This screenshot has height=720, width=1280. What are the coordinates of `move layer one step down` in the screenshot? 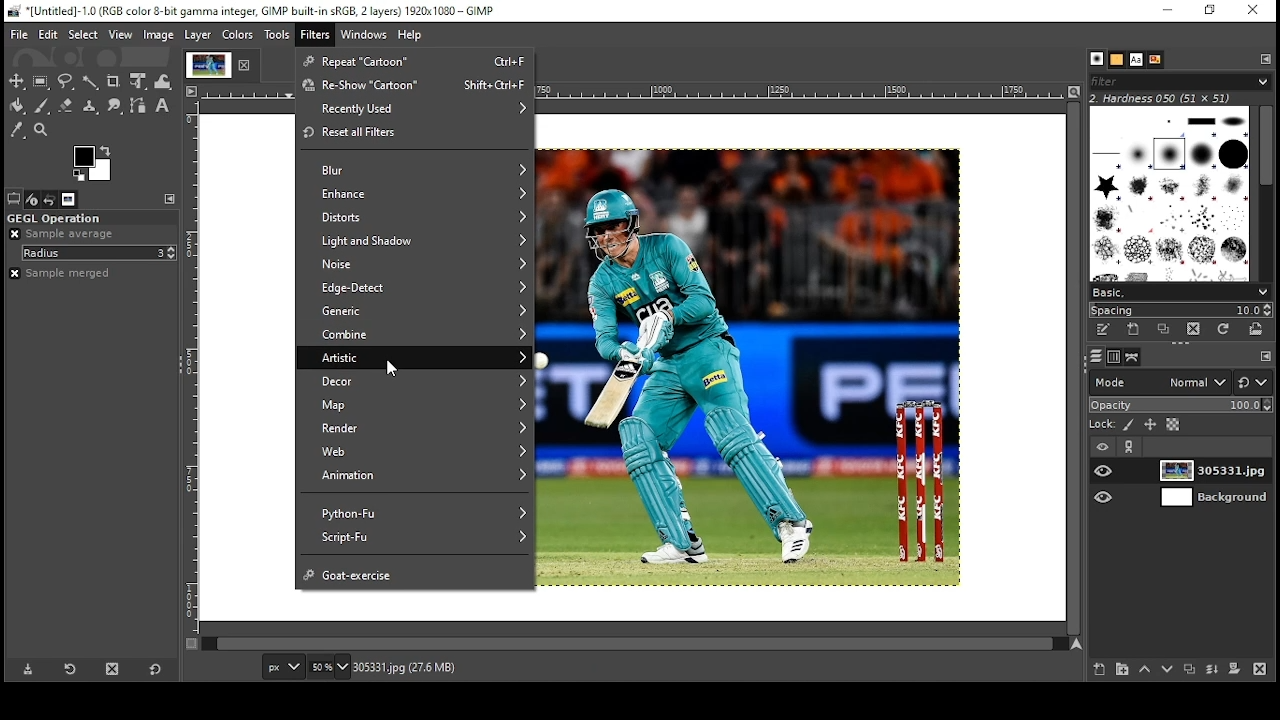 It's located at (1168, 670).